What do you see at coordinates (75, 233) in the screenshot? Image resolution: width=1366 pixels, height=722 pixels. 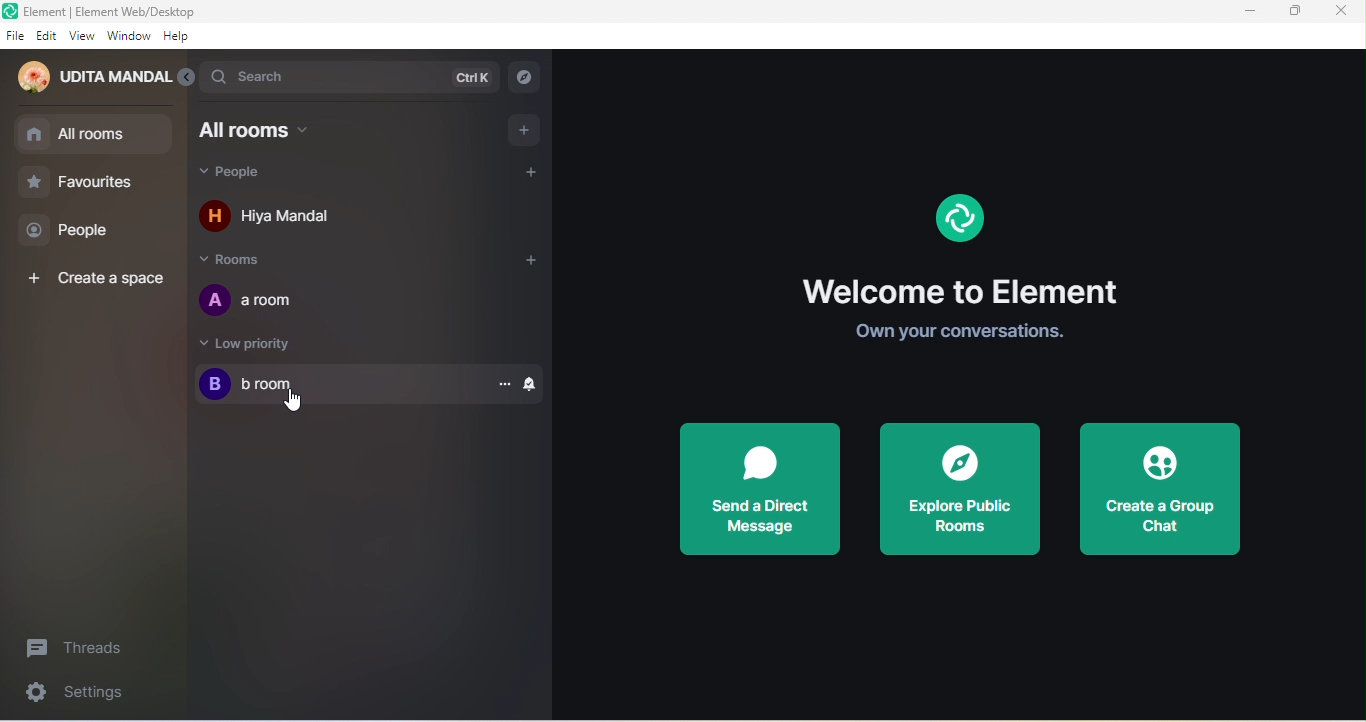 I see `people` at bounding box center [75, 233].